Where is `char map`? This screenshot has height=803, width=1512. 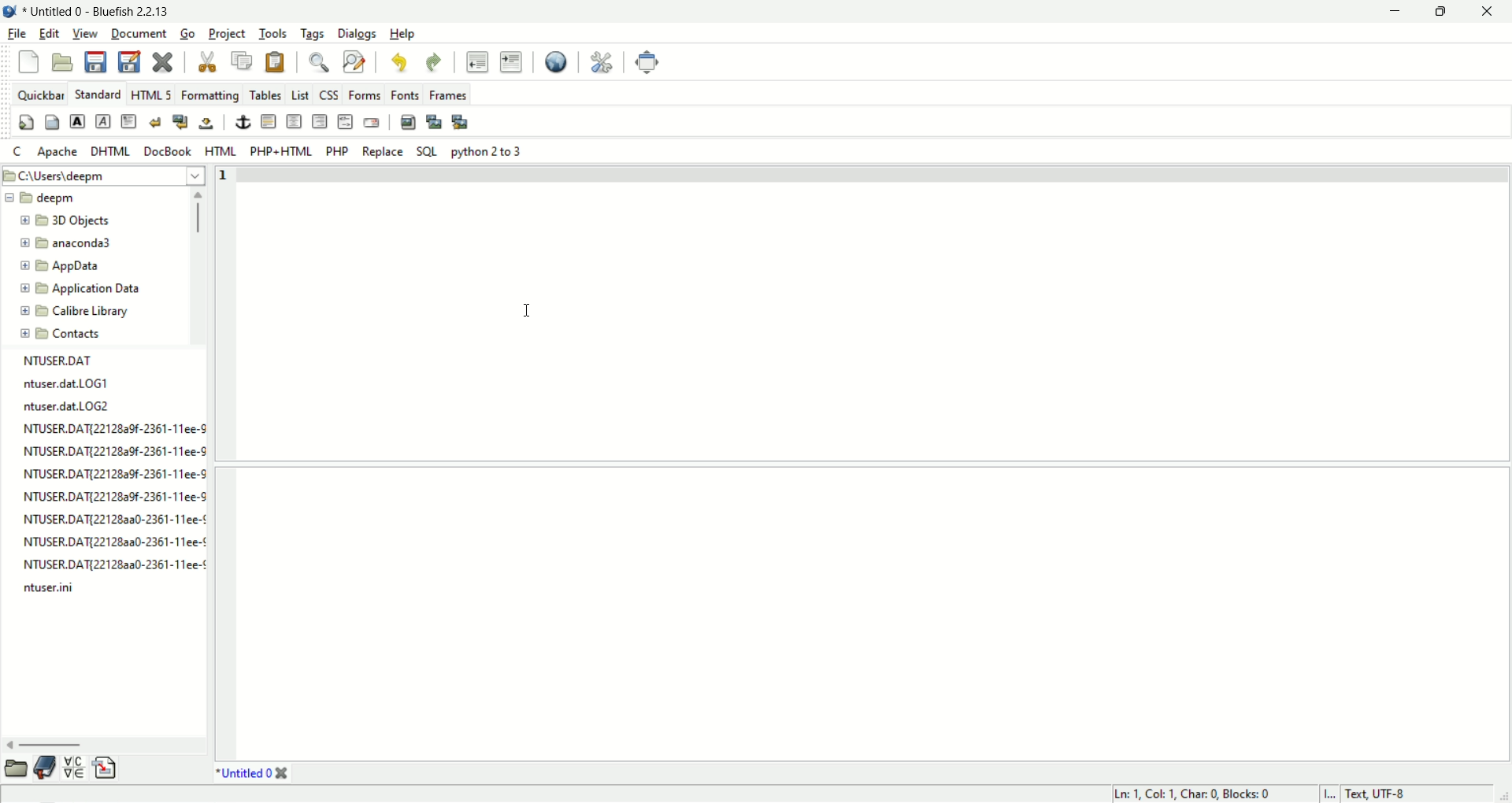
char map is located at coordinates (76, 769).